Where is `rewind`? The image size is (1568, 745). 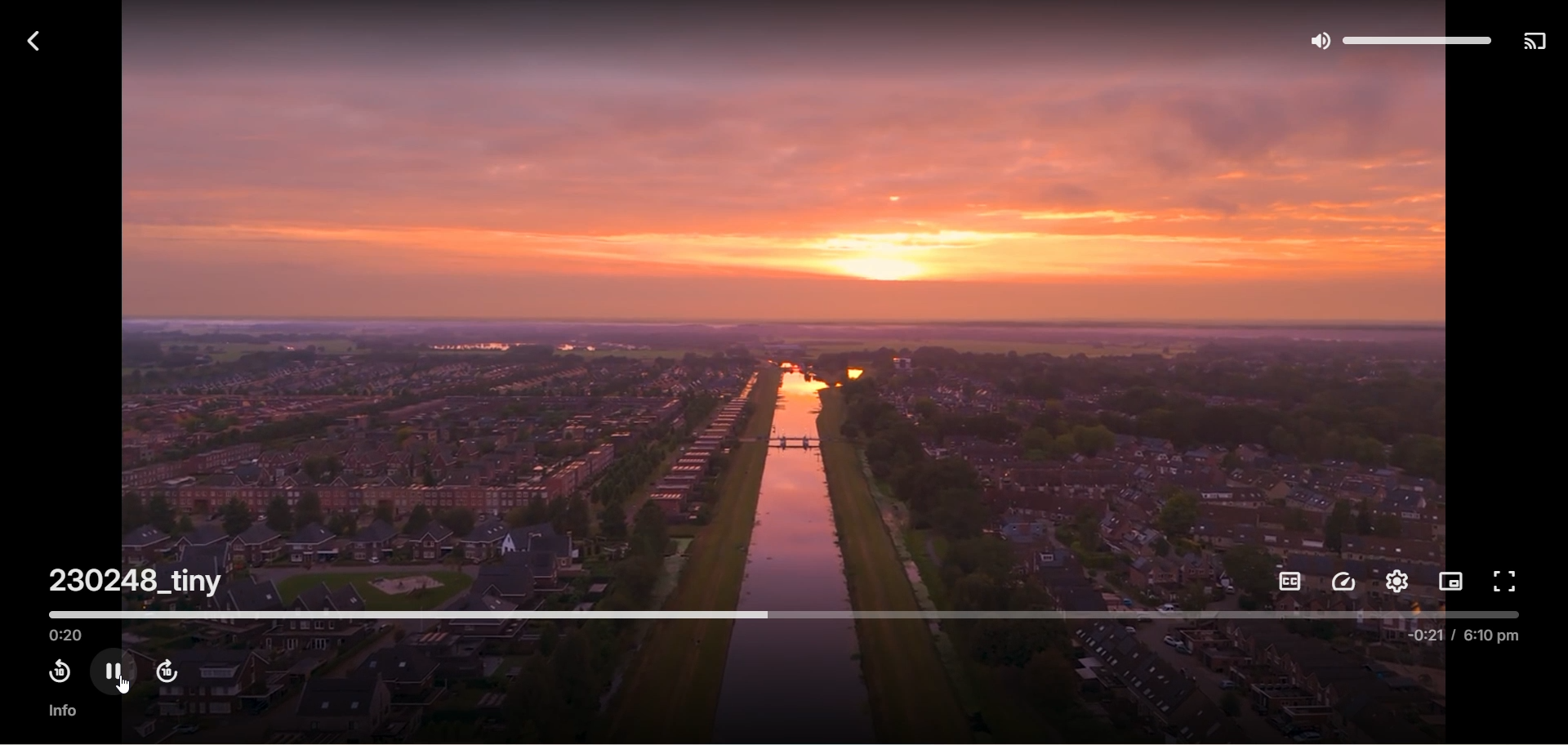
rewind is located at coordinates (56, 672).